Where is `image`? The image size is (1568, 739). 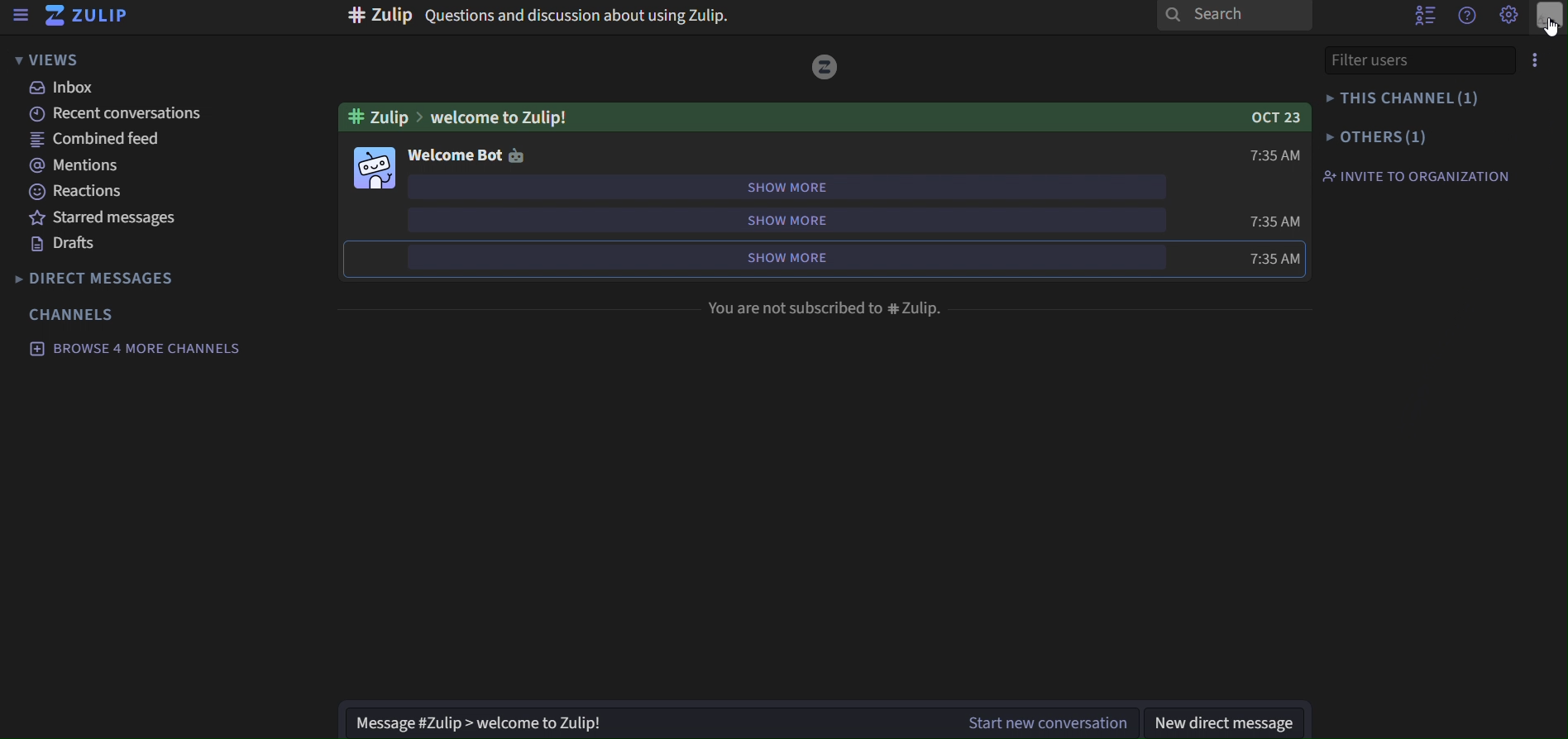
image is located at coordinates (825, 66).